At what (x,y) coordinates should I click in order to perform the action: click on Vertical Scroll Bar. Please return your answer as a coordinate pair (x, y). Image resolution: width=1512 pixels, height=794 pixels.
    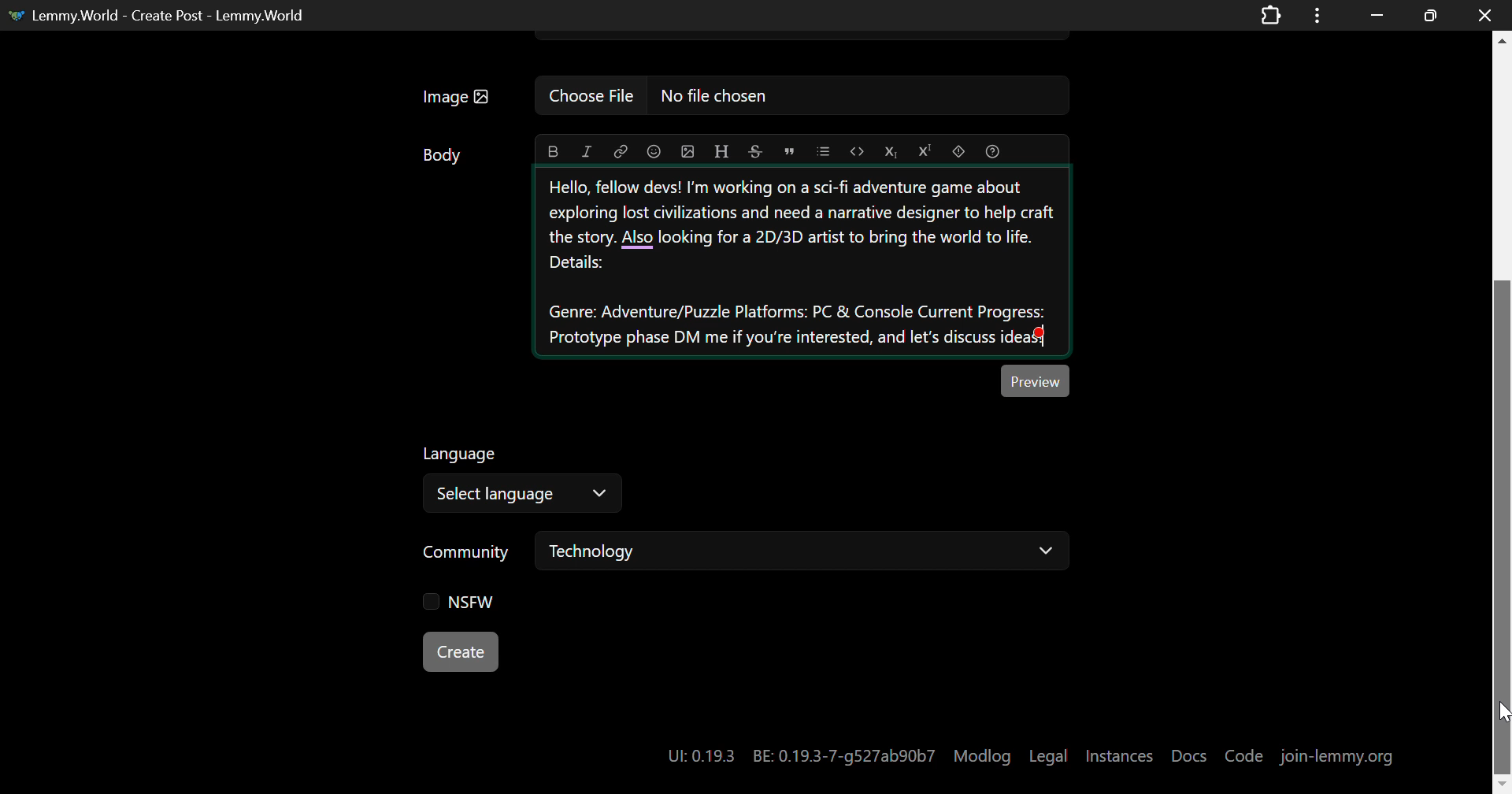
    Looking at the image, I should click on (1503, 412).